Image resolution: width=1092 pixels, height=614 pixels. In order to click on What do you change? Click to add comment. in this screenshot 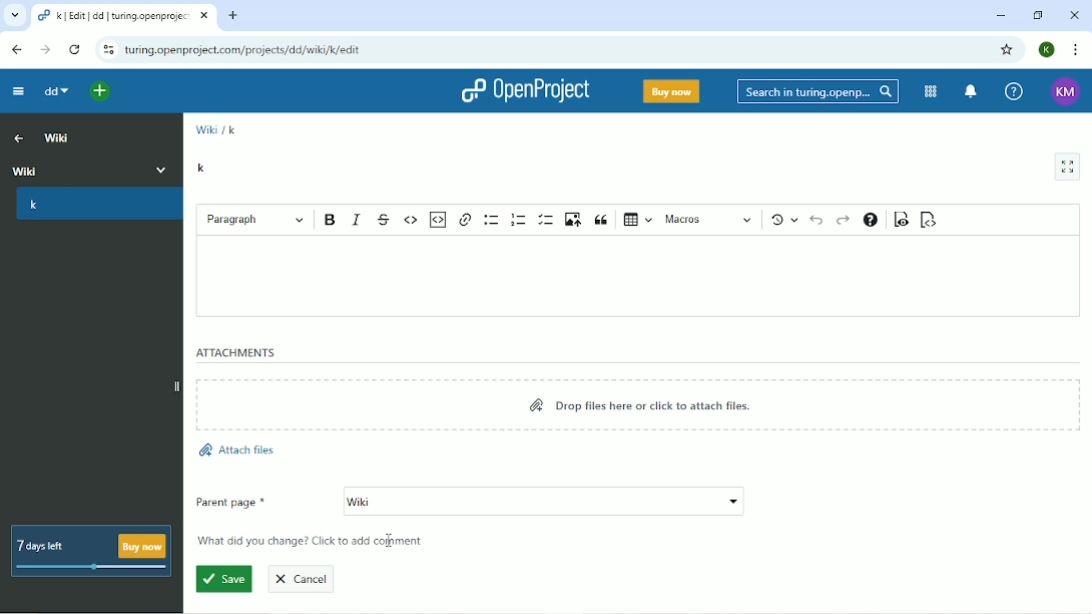, I will do `click(315, 541)`.